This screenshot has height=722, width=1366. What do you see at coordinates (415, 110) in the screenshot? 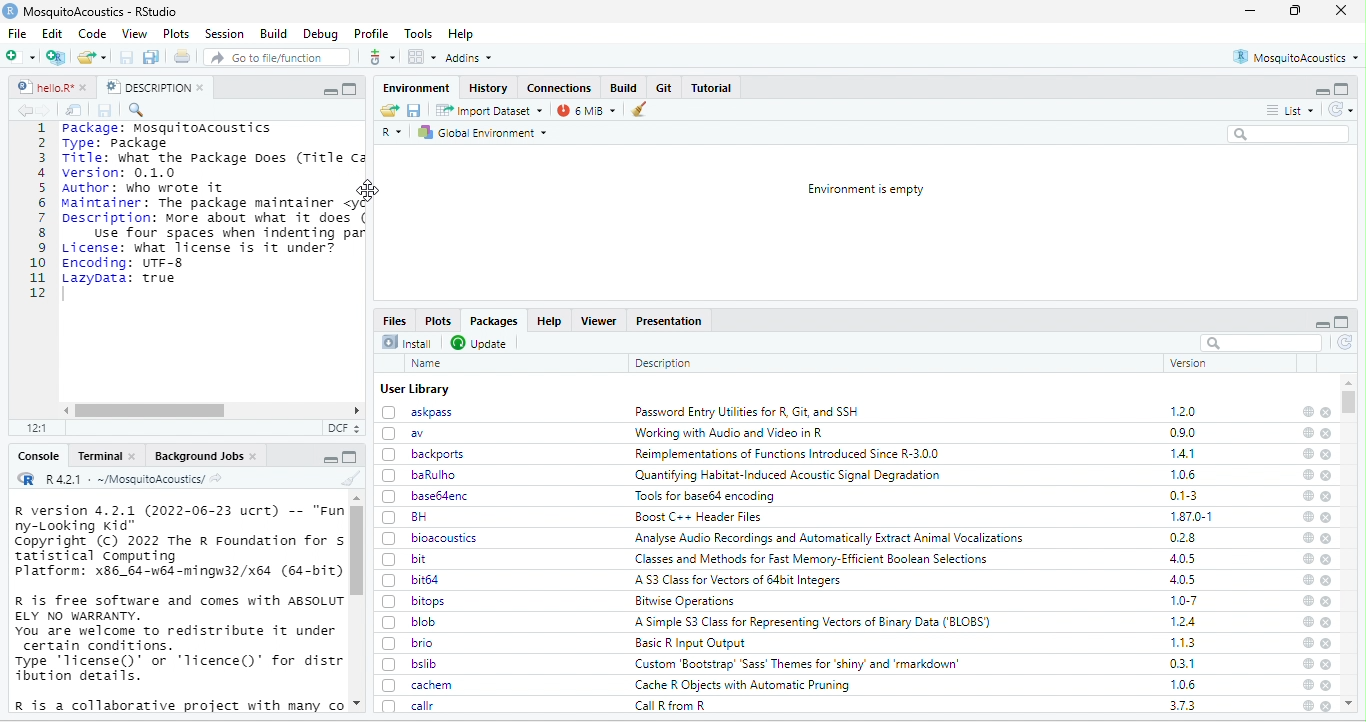
I see `Save` at bounding box center [415, 110].